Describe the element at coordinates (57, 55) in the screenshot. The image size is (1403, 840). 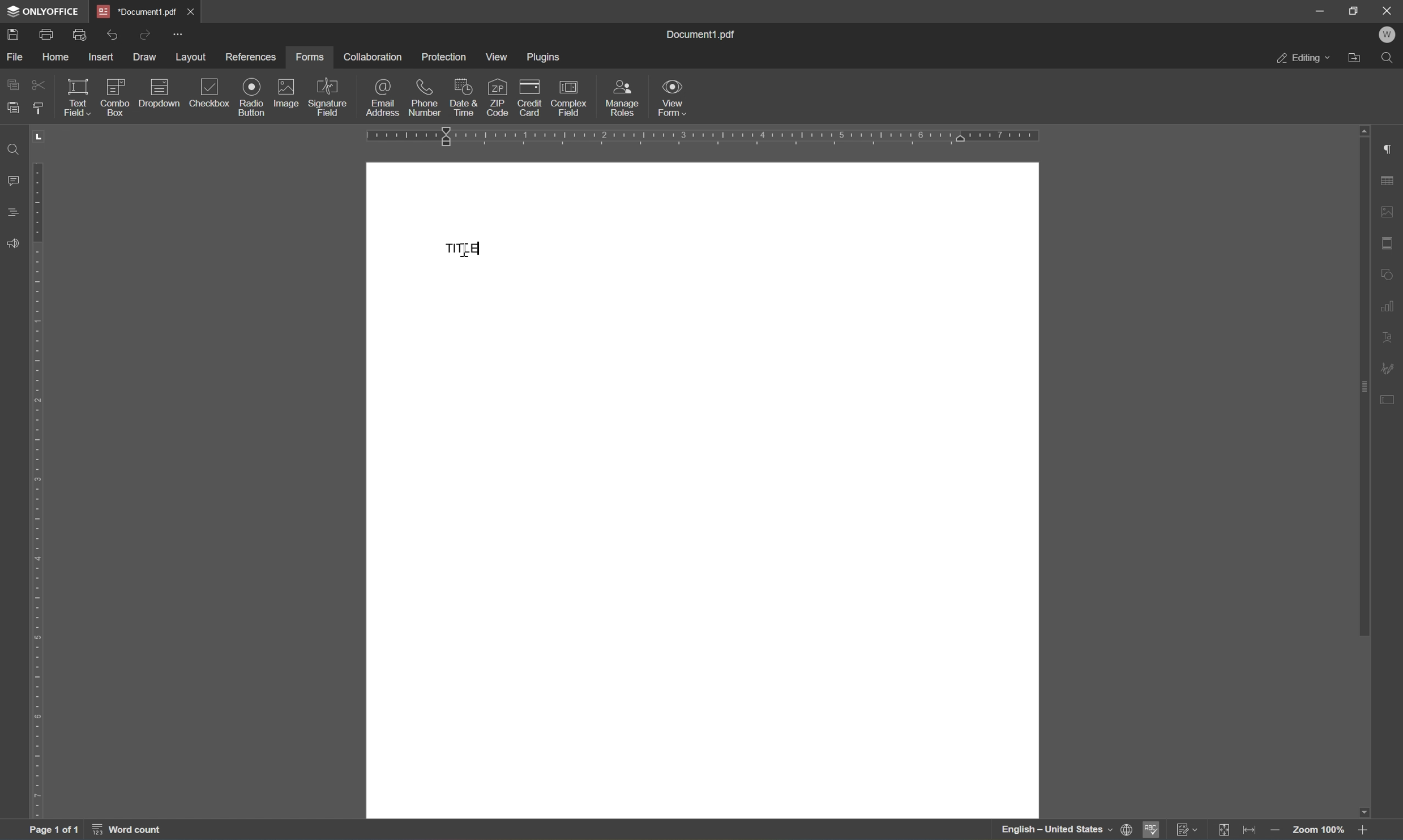
I see `home` at that location.